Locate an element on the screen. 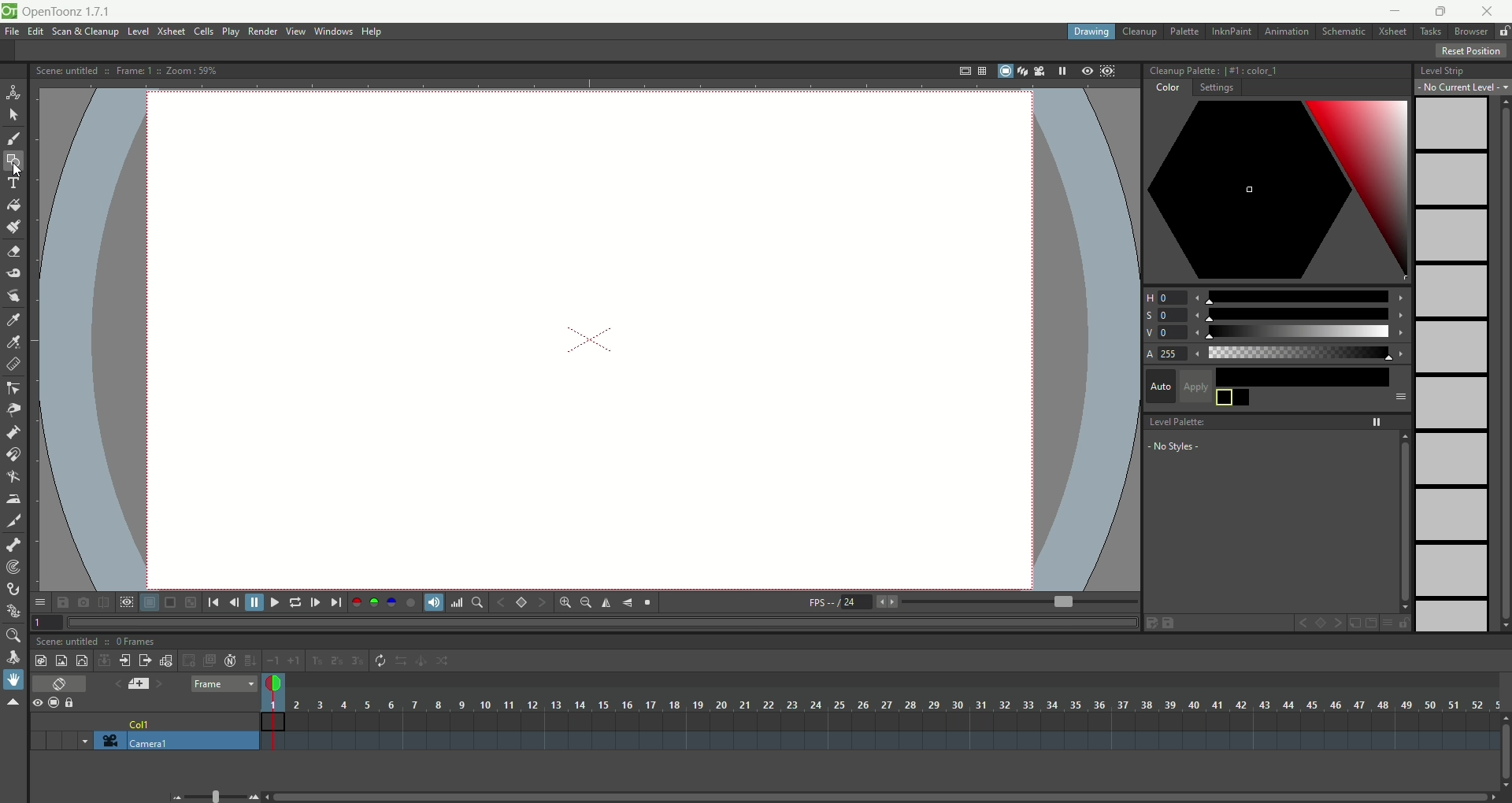  value is located at coordinates (1277, 333).